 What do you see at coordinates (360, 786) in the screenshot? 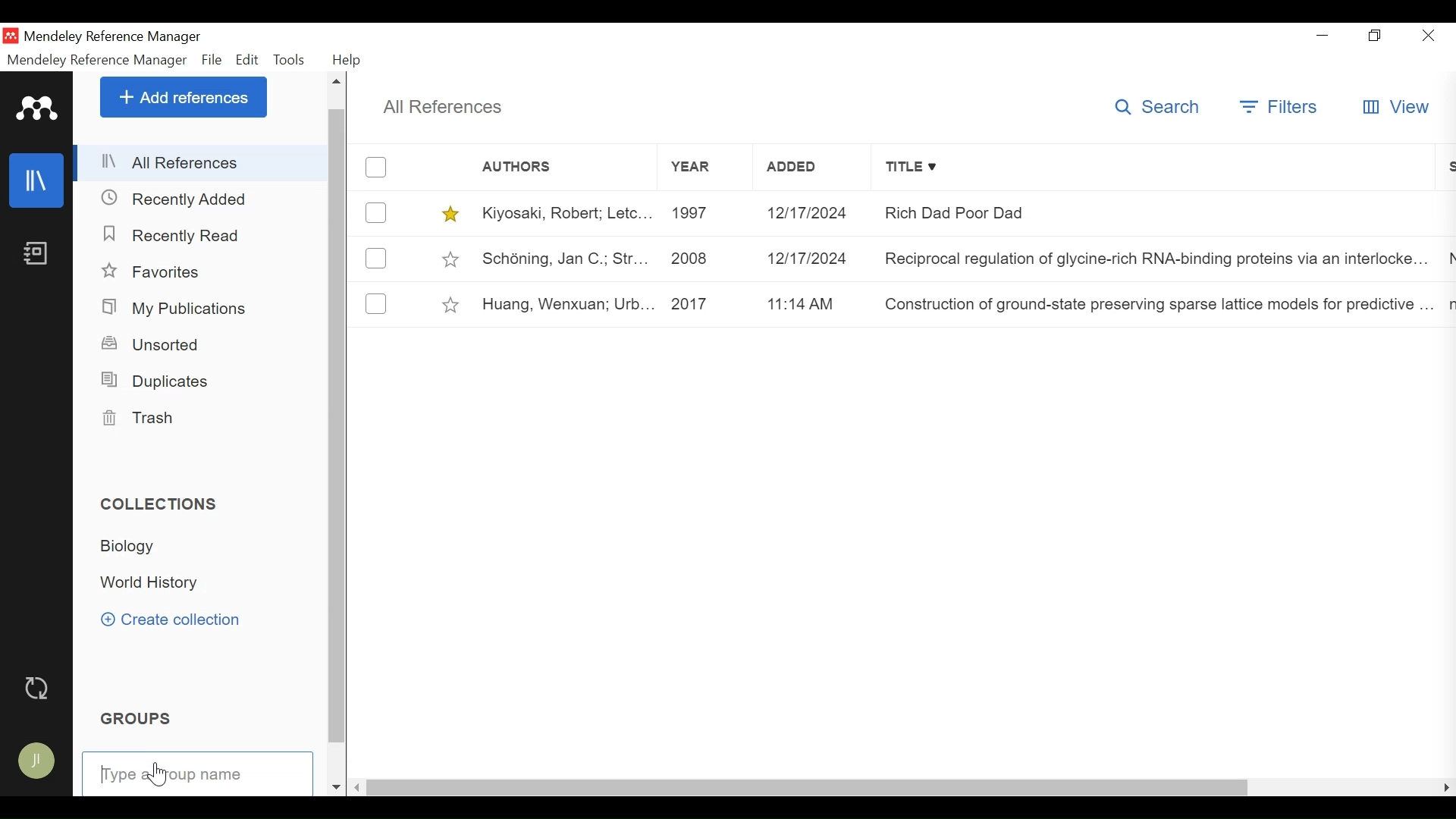
I see `Scroll Left` at bounding box center [360, 786].